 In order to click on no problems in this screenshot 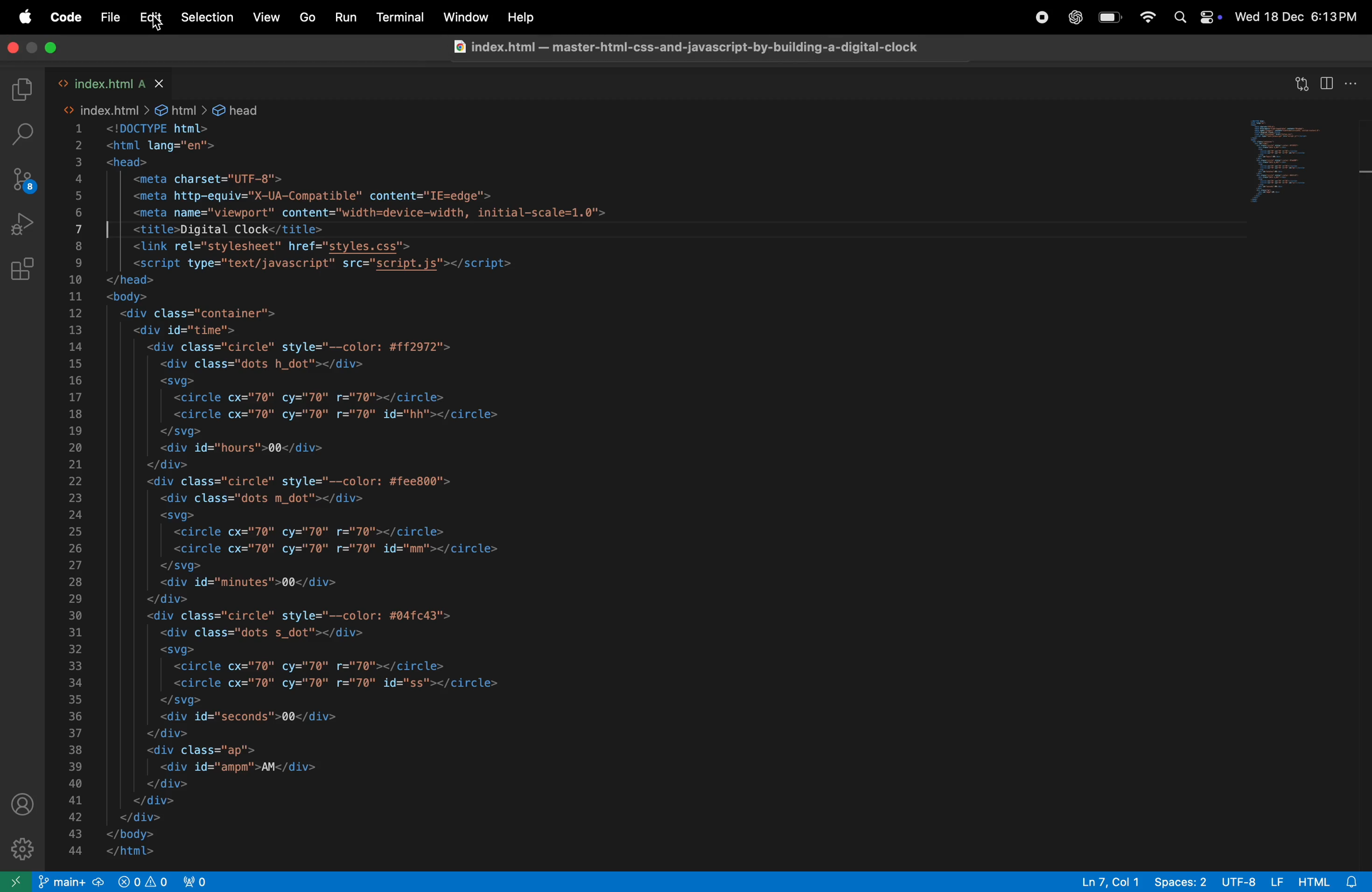, I will do `click(141, 880)`.